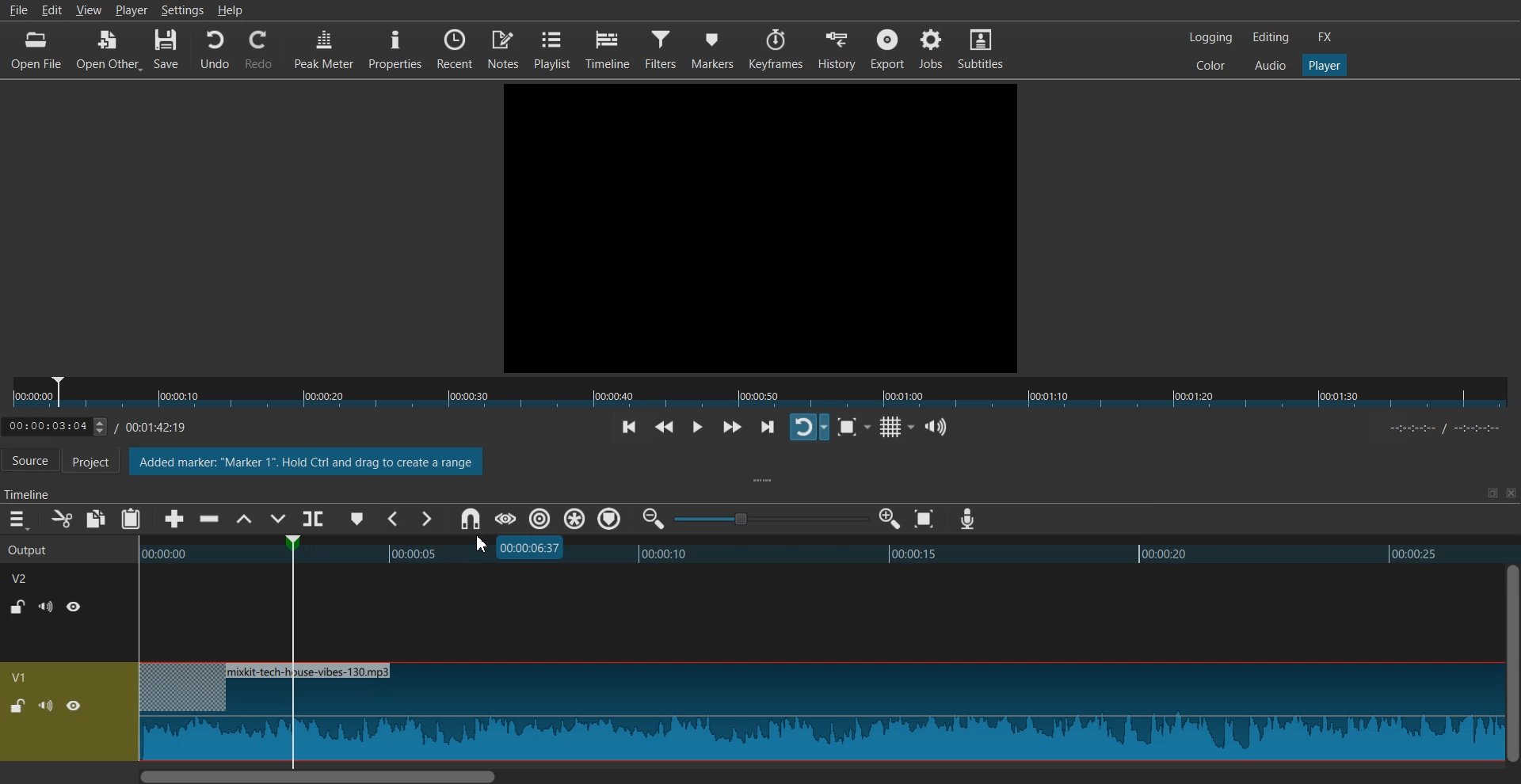 This screenshot has width=1521, height=784. What do you see at coordinates (887, 48) in the screenshot?
I see `Export` at bounding box center [887, 48].